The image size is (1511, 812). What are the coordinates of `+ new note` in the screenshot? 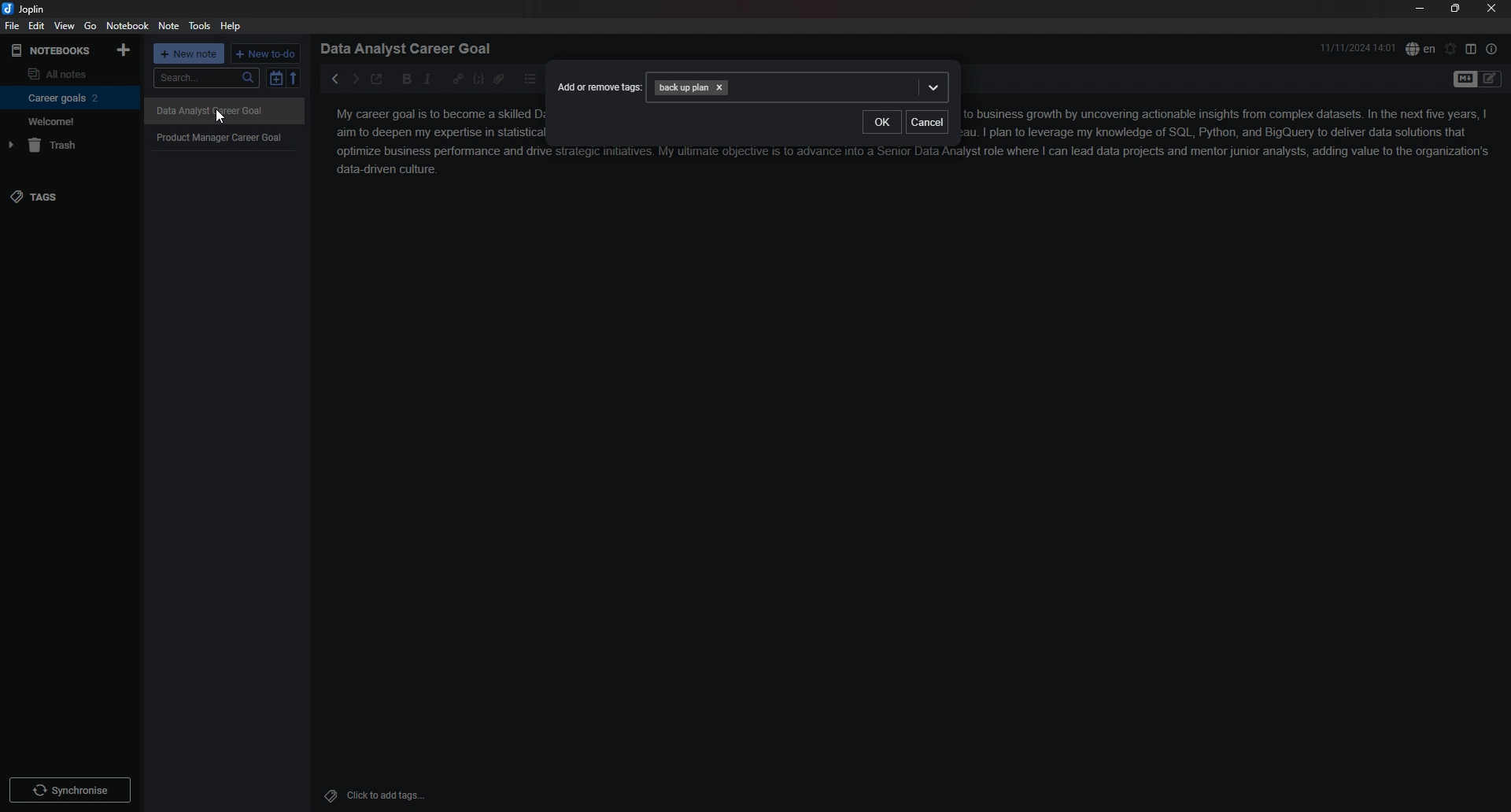 It's located at (189, 54).